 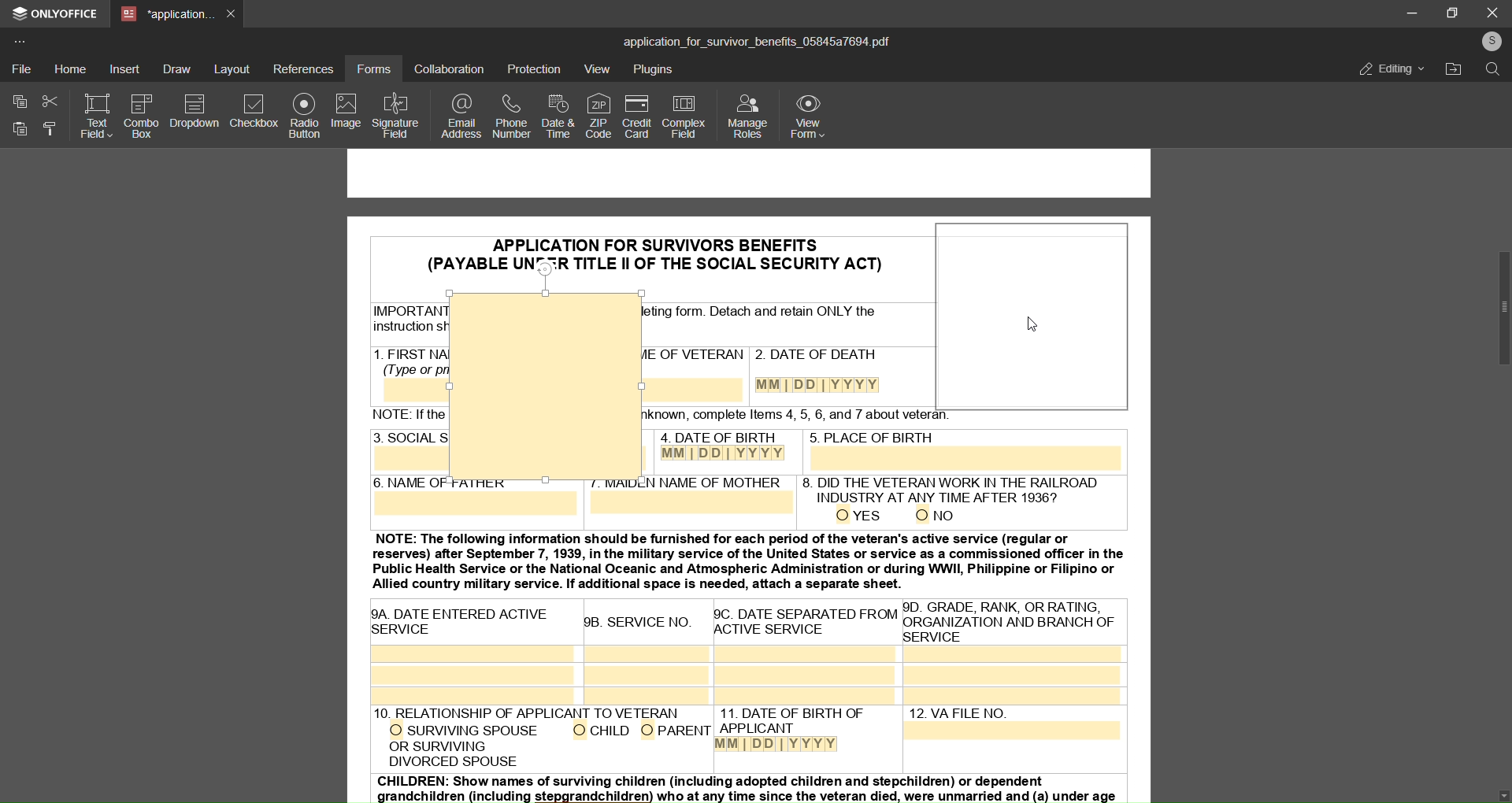 What do you see at coordinates (1490, 41) in the screenshot?
I see `user` at bounding box center [1490, 41].